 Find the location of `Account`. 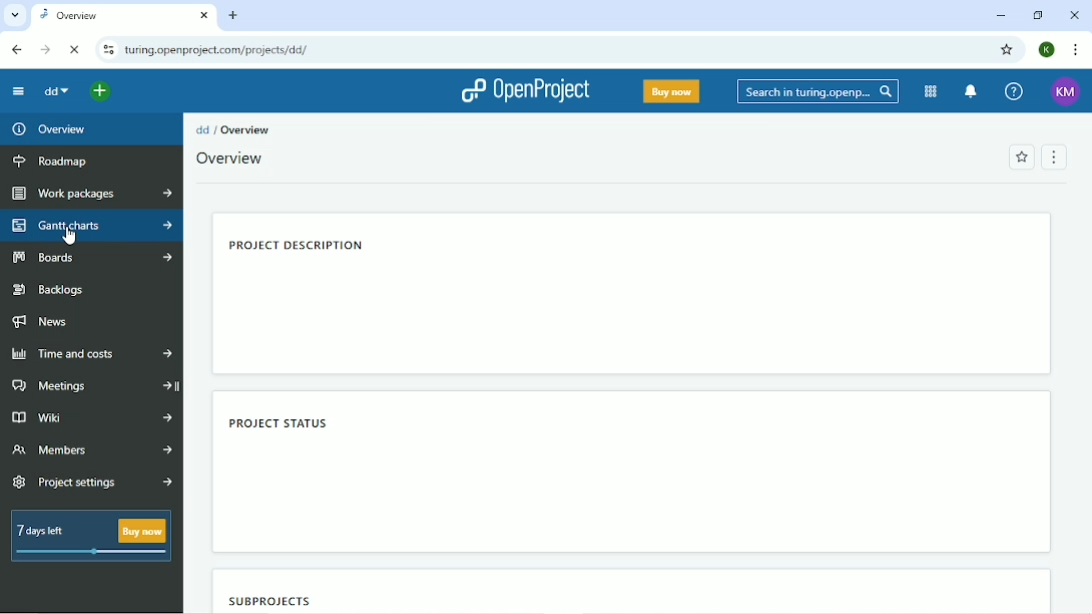

Account is located at coordinates (1047, 50).